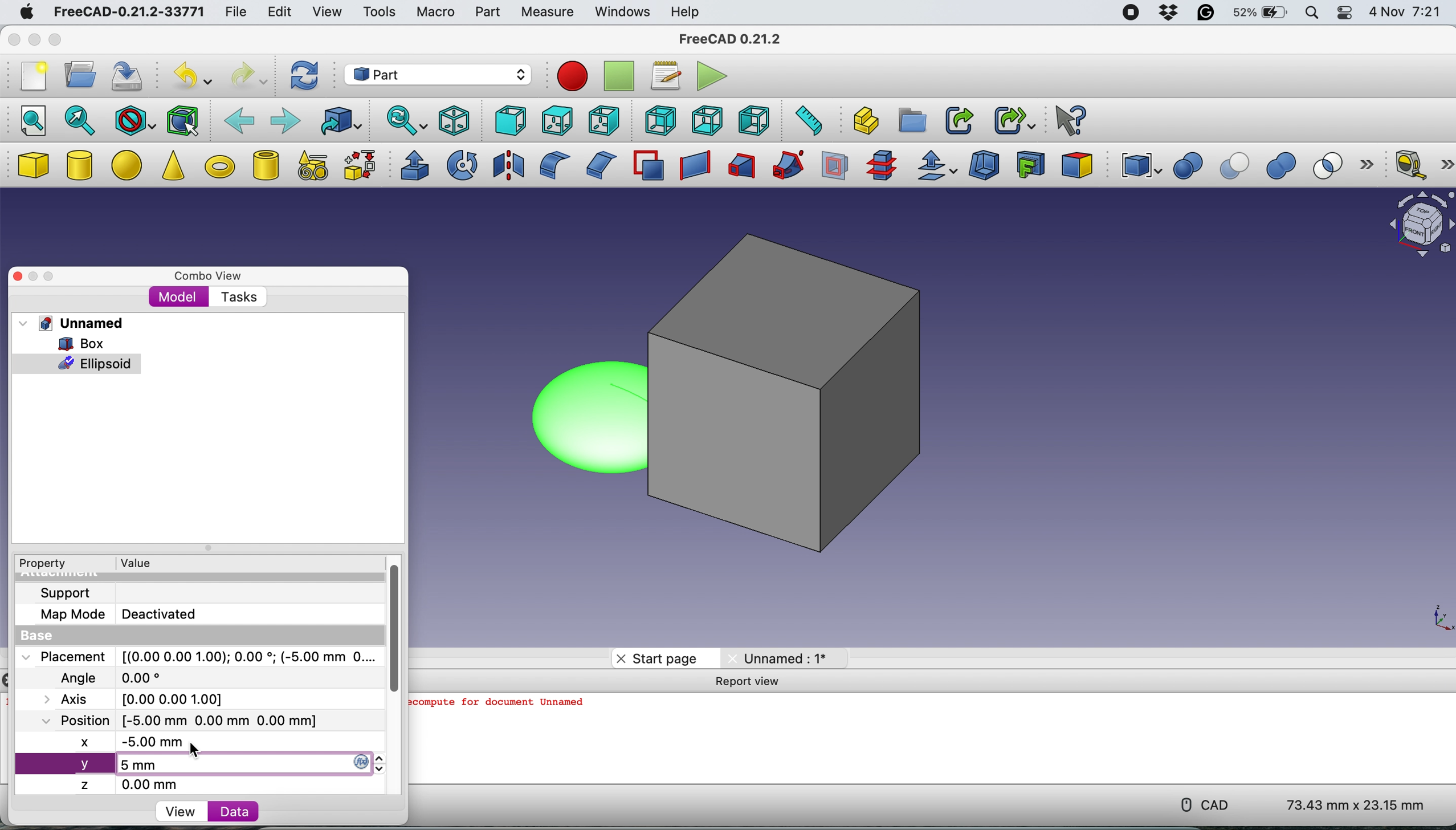  What do you see at coordinates (136, 743) in the screenshot?
I see `x -5.00 mm` at bounding box center [136, 743].